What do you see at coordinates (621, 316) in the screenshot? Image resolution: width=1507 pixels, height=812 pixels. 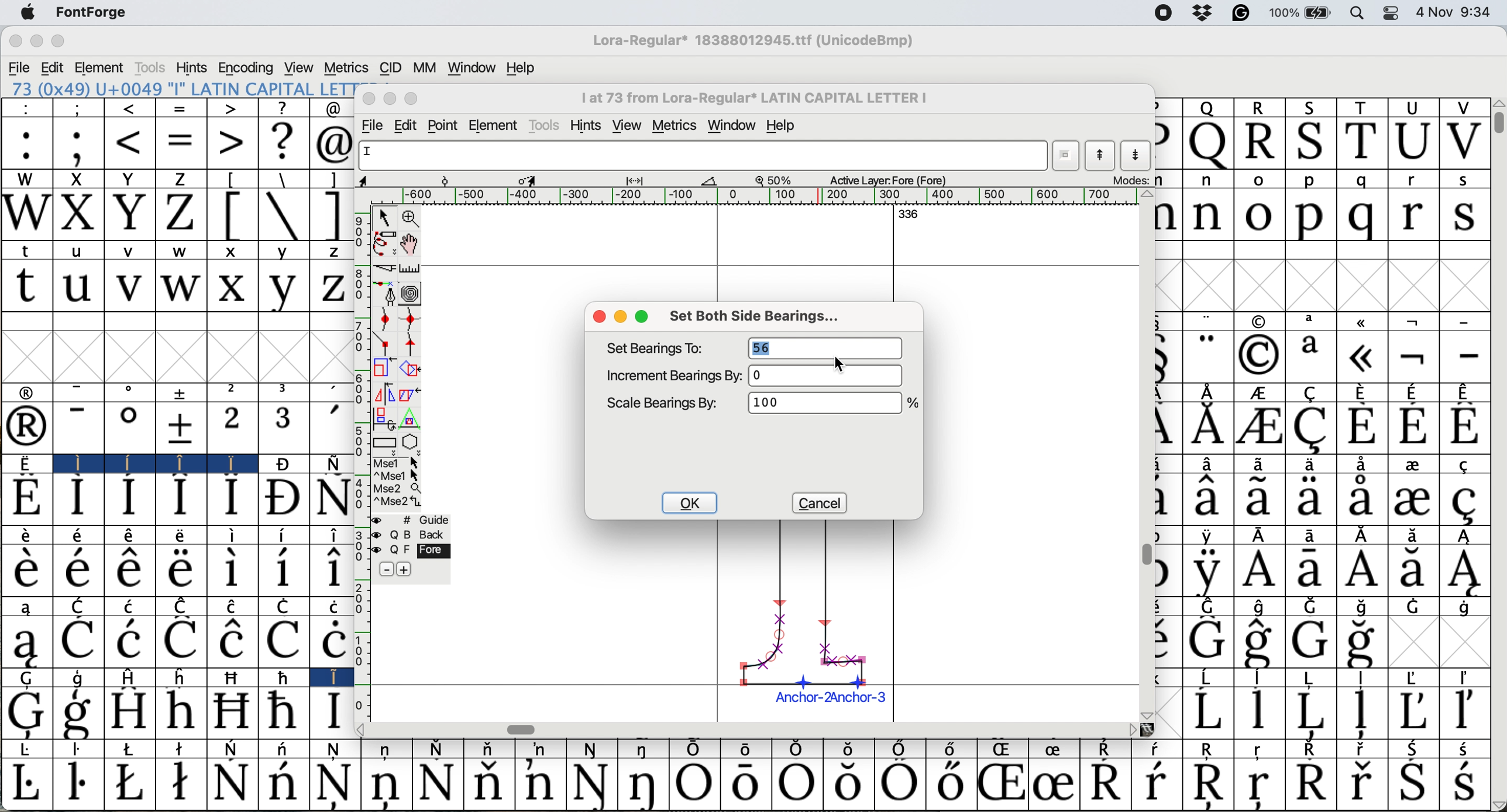 I see `minimise` at bounding box center [621, 316].